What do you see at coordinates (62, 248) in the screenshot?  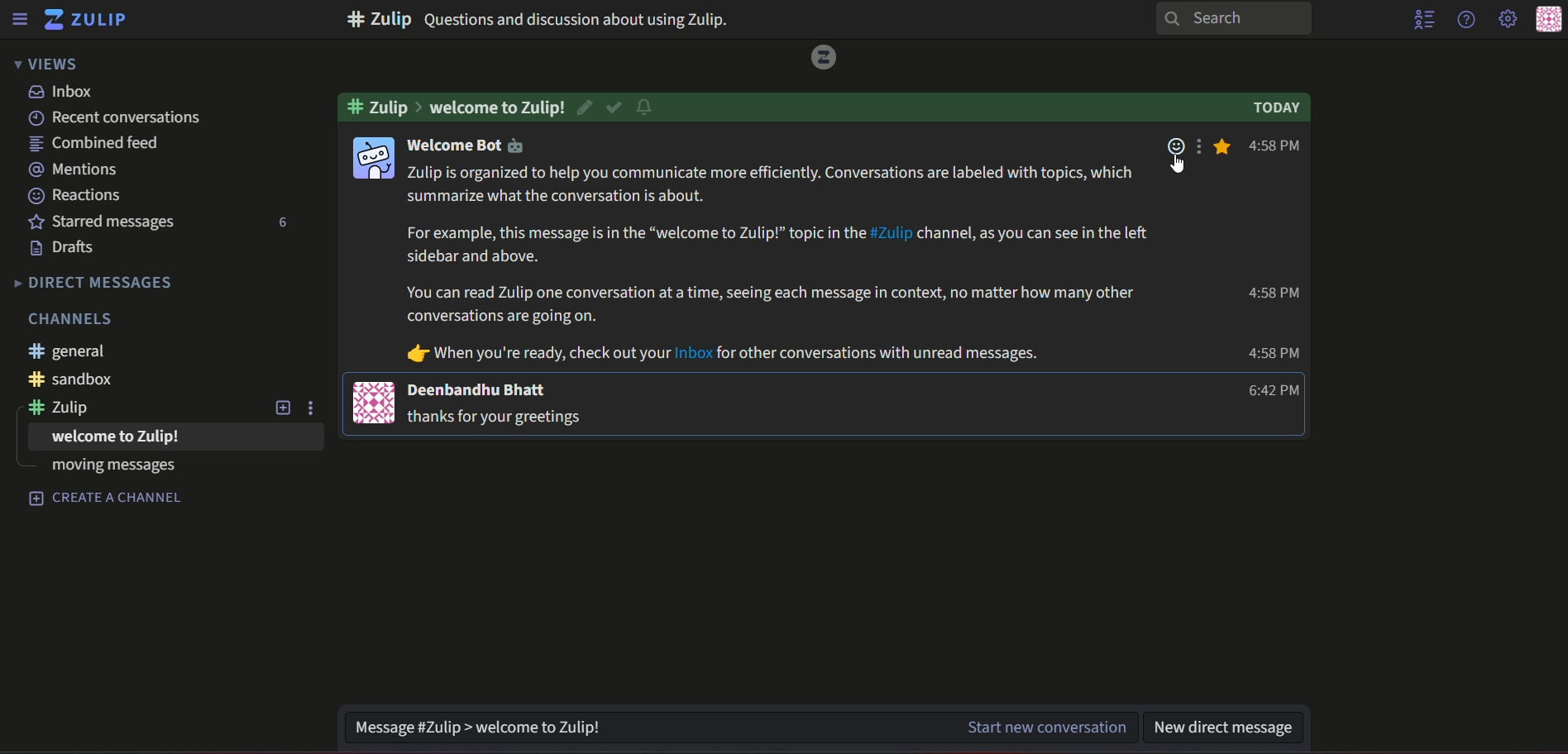 I see `Drafts` at bounding box center [62, 248].